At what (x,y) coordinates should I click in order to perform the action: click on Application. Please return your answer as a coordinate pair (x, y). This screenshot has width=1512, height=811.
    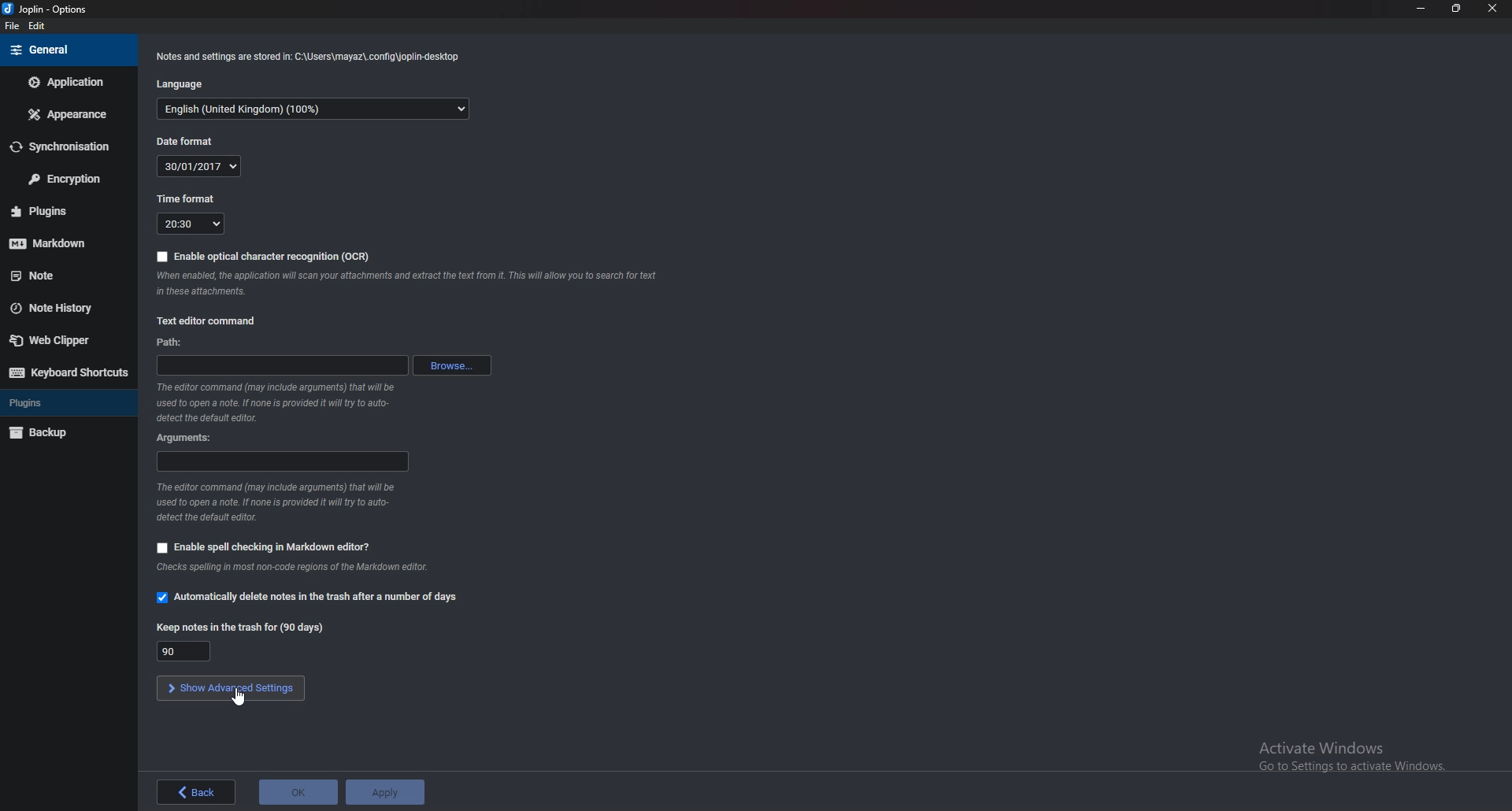
    Looking at the image, I should click on (68, 82).